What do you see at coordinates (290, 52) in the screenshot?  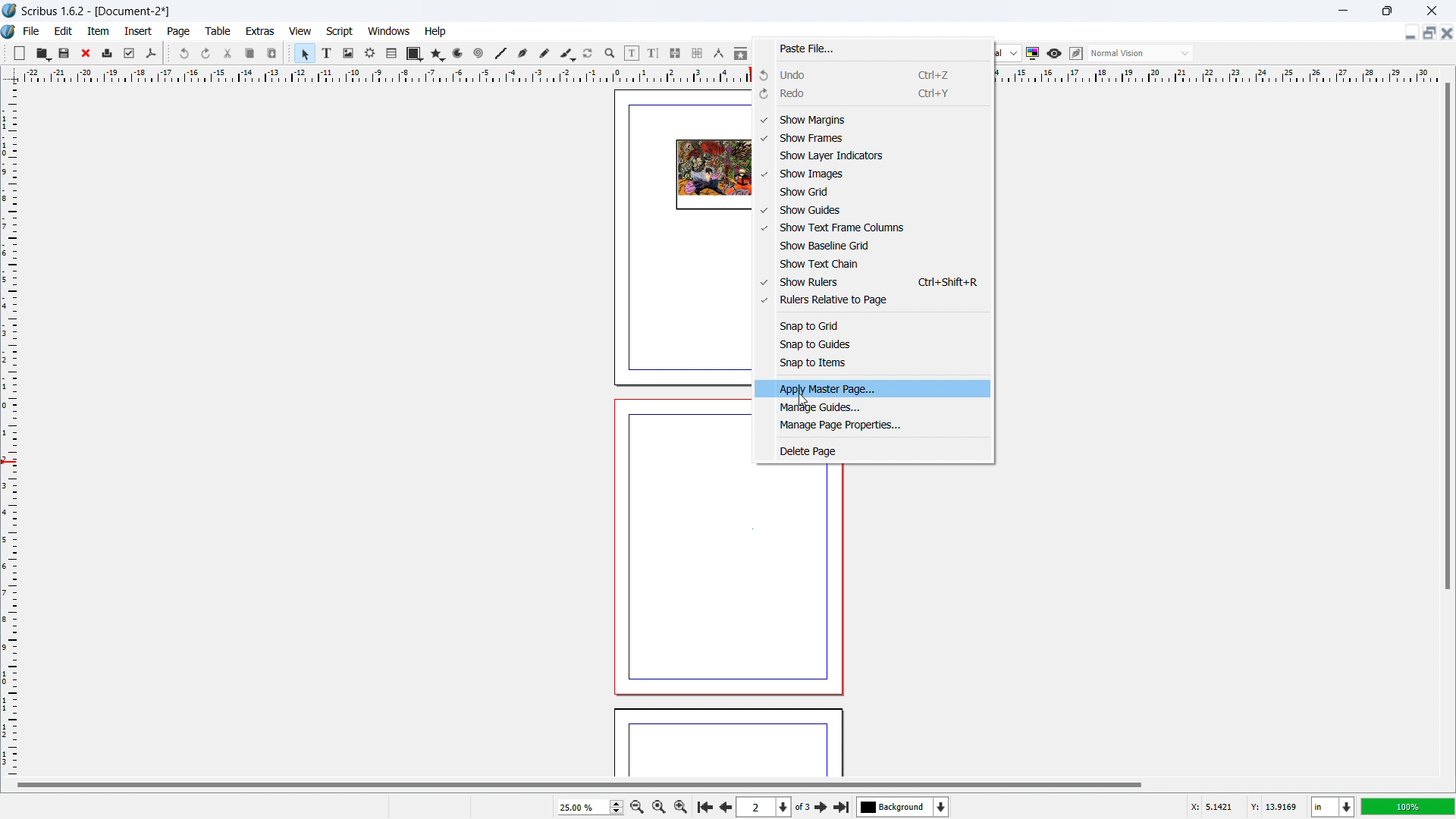 I see `move toolbox` at bounding box center [290, 52].